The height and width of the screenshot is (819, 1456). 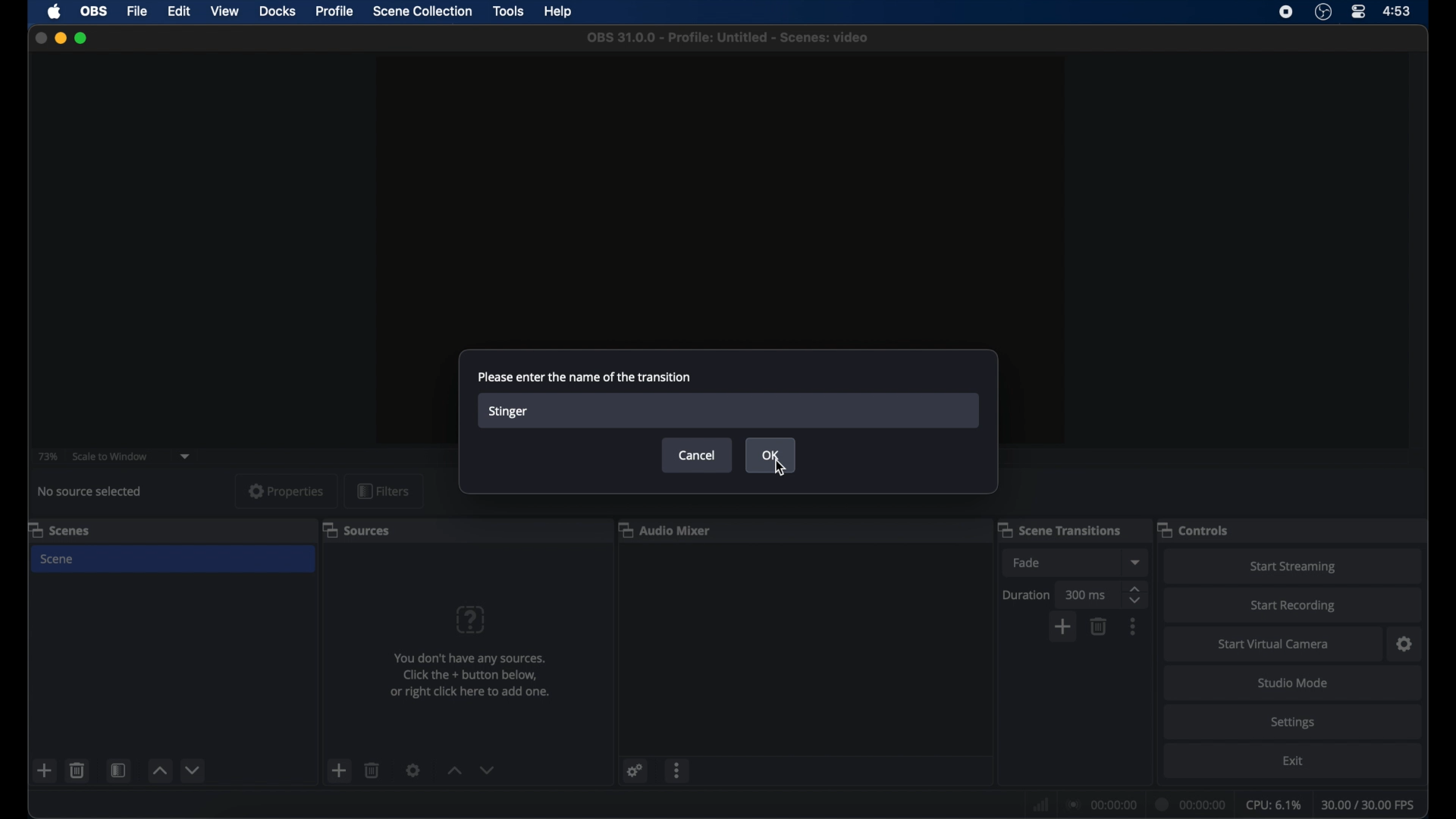 I want to click on scene, so click(x=58, y=560).